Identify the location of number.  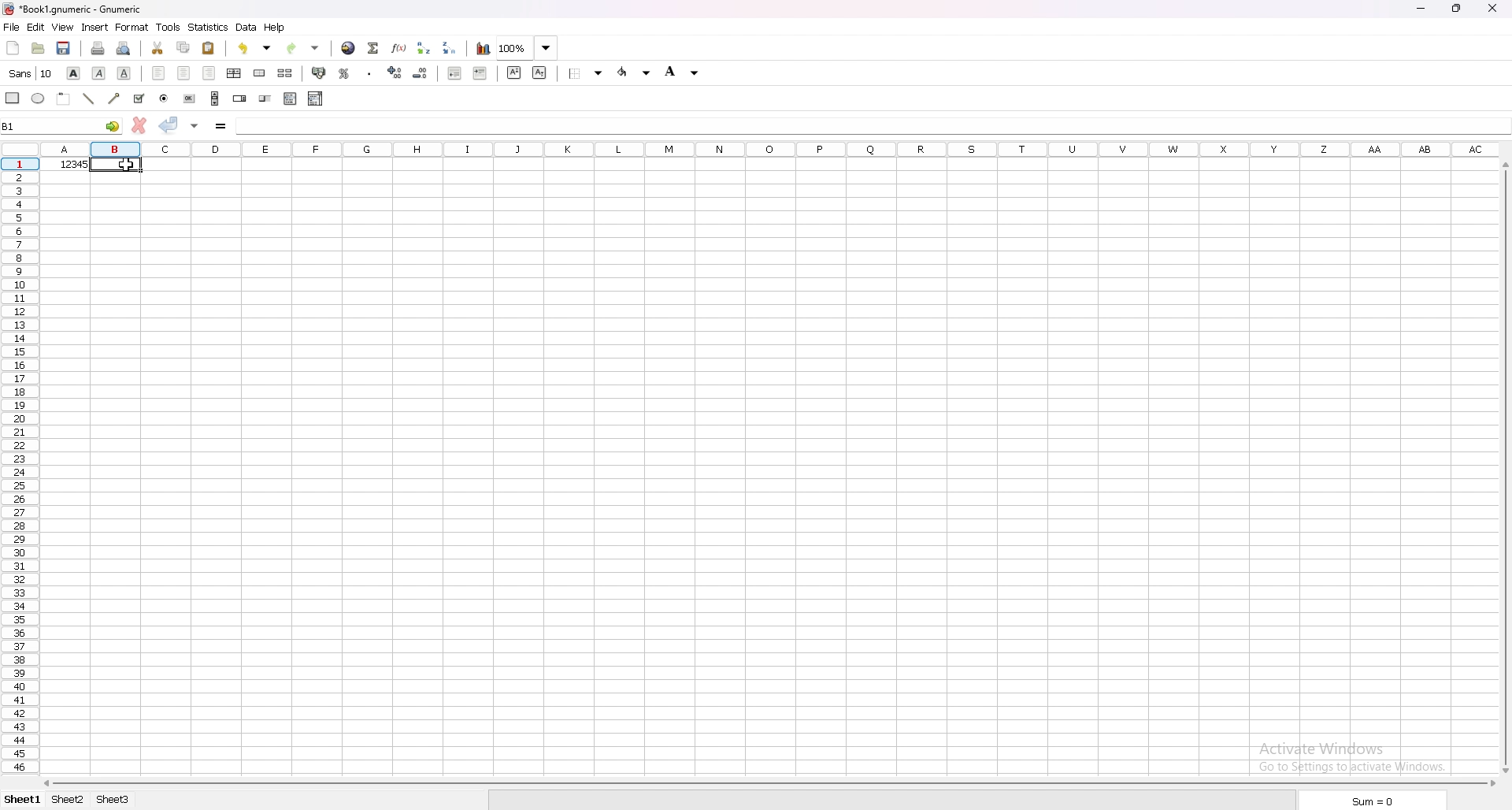
(62, 164).